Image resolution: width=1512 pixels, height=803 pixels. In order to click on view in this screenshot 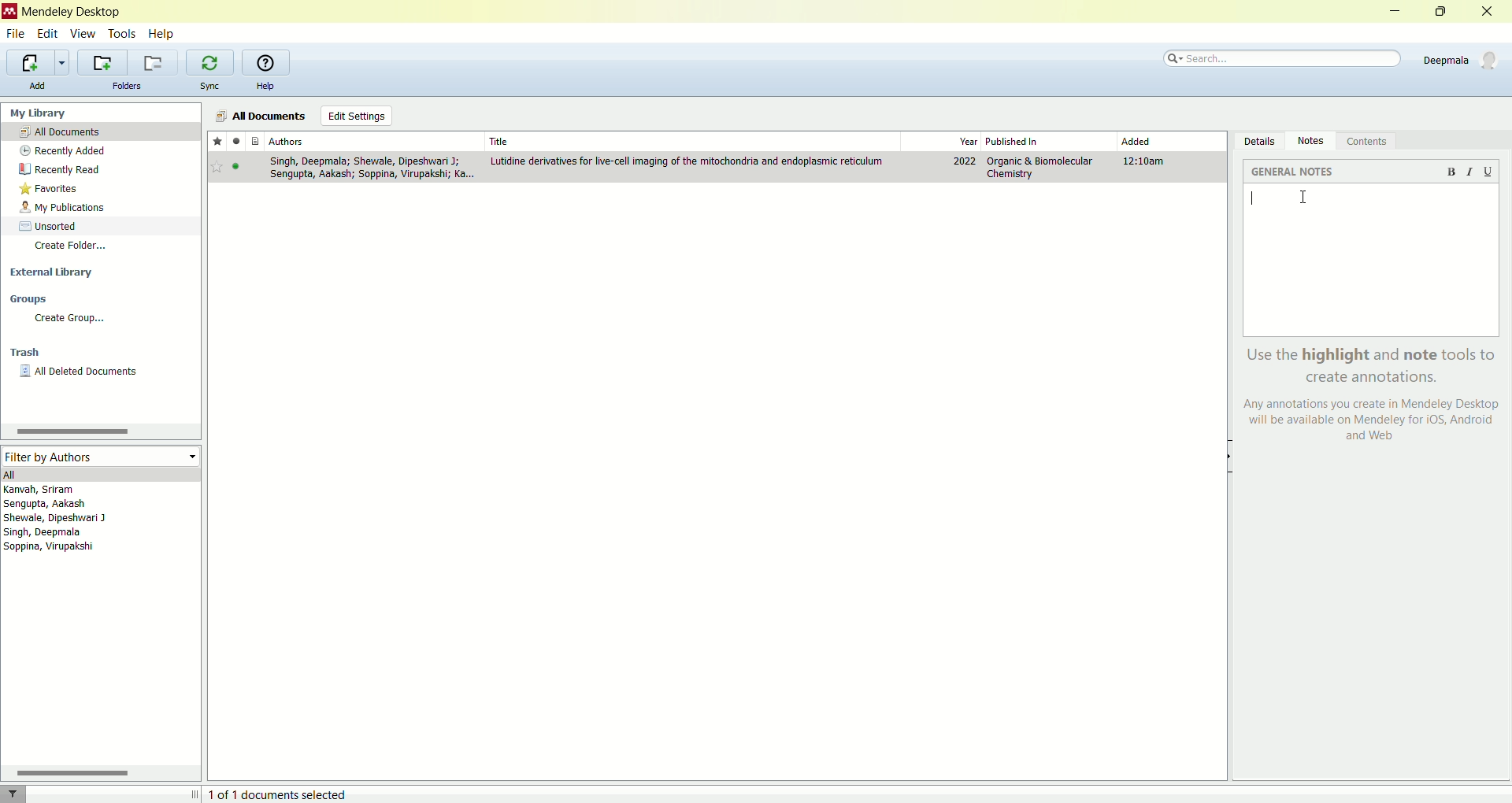, I will do `click(84, 33)`.